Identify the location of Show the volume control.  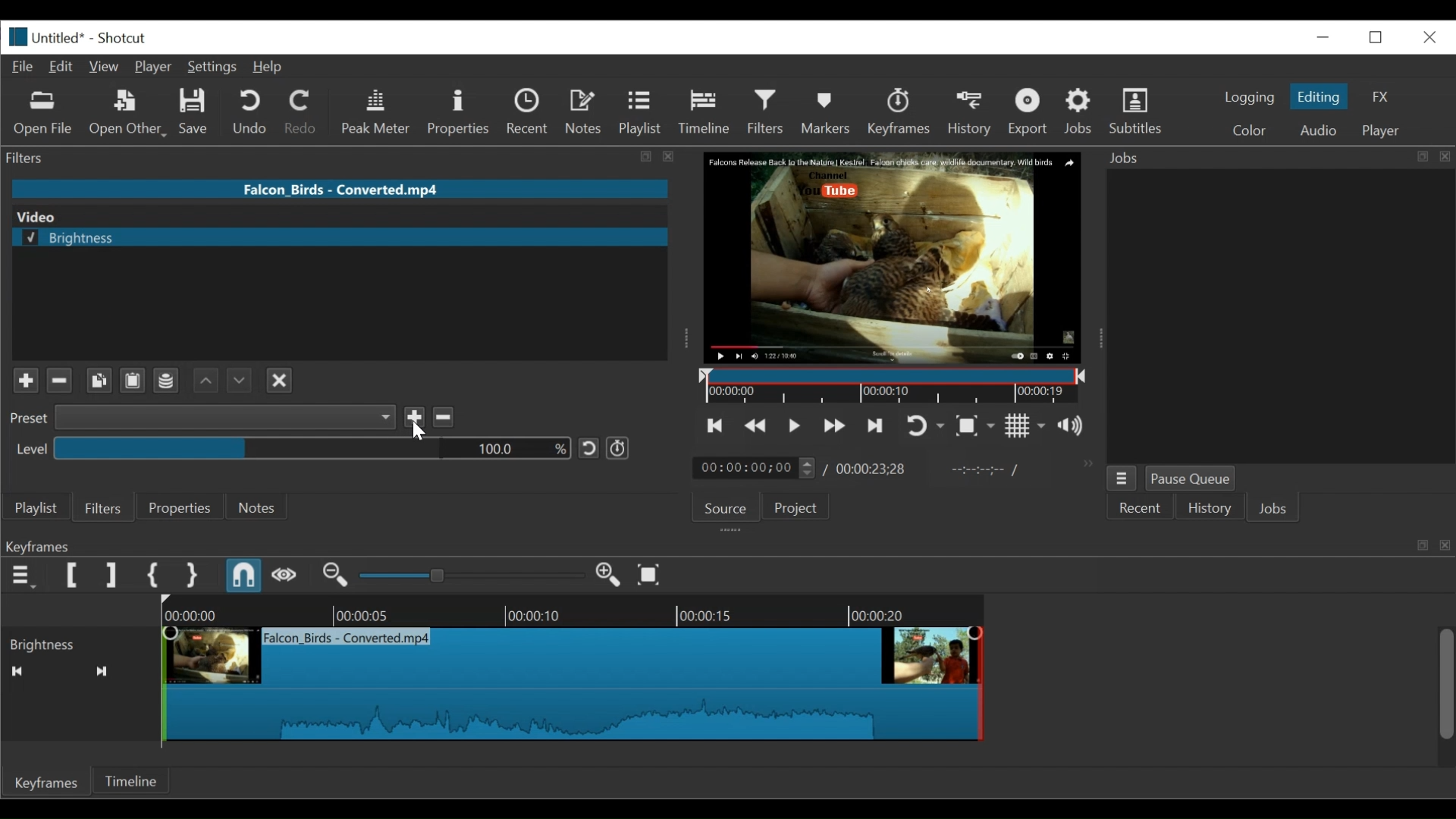
(1075, 427).